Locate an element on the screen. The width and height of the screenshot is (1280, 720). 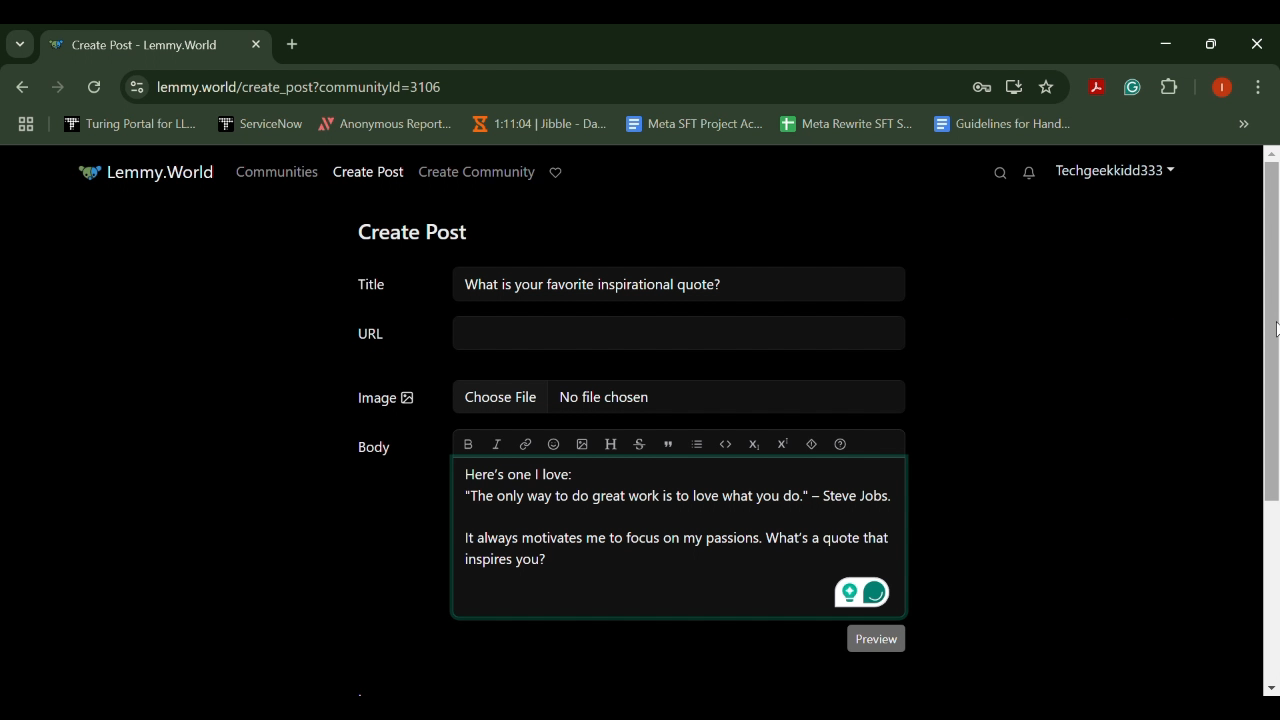
Previous Page Dropdown Menu is located at coordinates (20, 45).